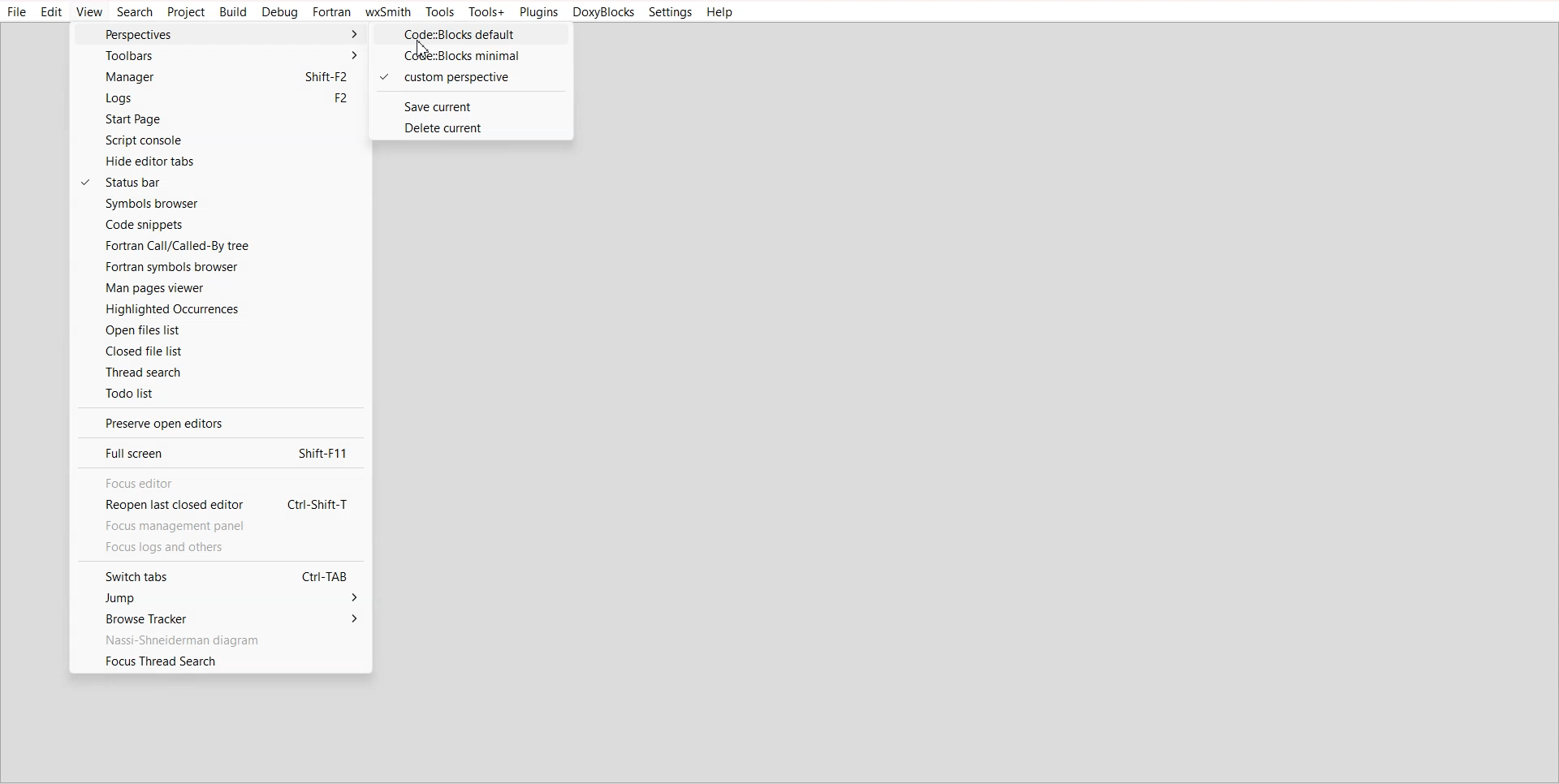  I want to click on Fortran symbols browser, so click(219, 267).